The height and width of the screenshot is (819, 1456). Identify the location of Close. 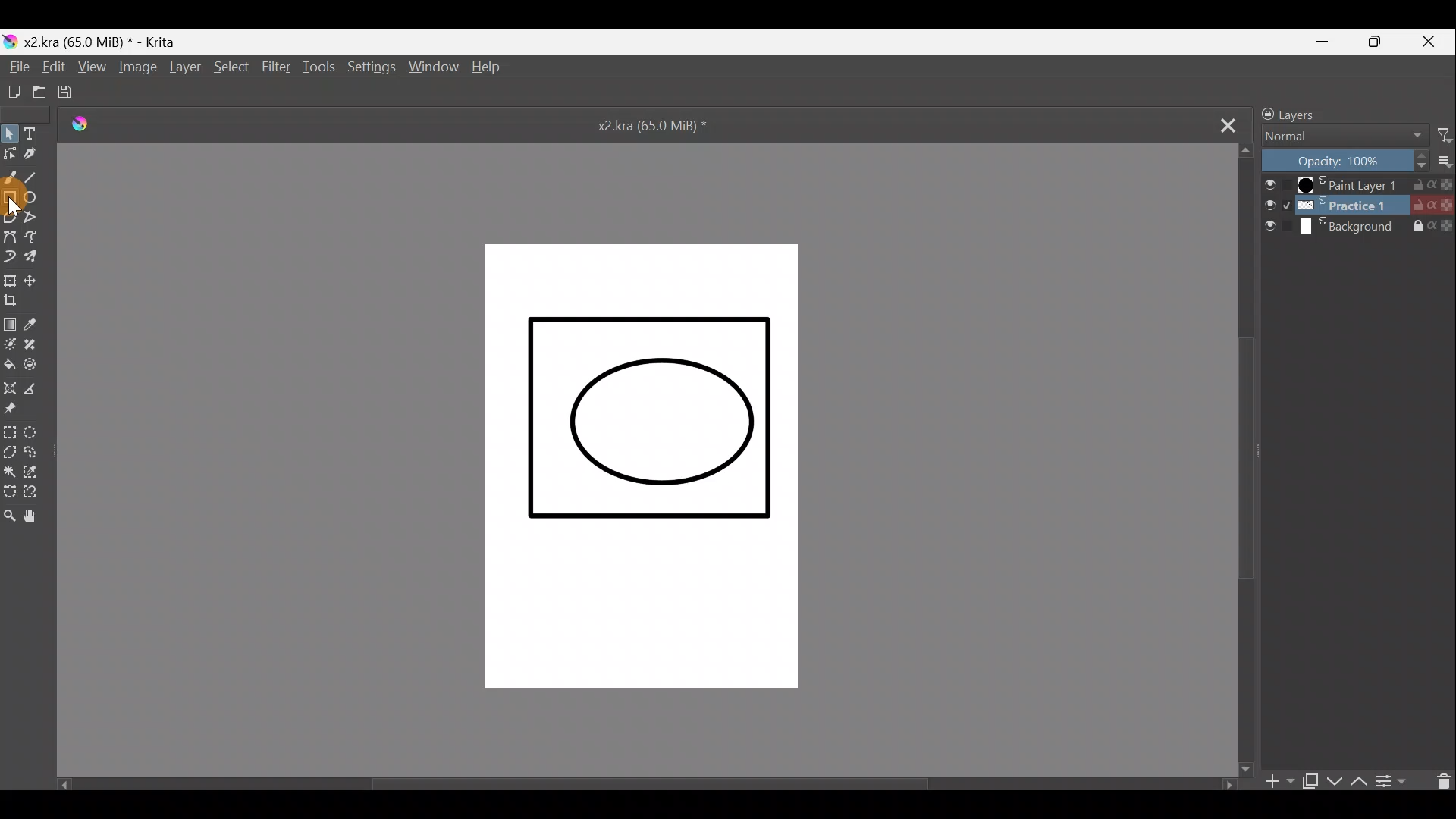
(1434, 40).